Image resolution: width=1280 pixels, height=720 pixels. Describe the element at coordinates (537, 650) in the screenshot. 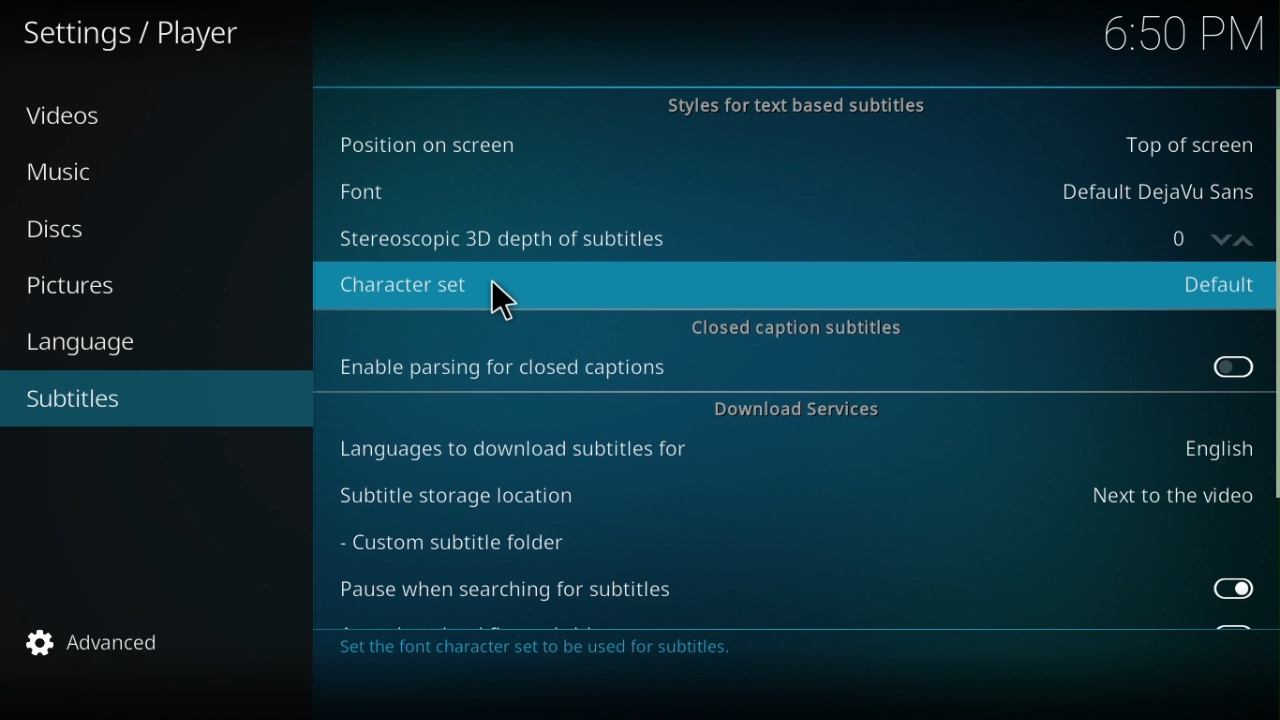

I see `Set the font character set to be used for subtitles` at that location.